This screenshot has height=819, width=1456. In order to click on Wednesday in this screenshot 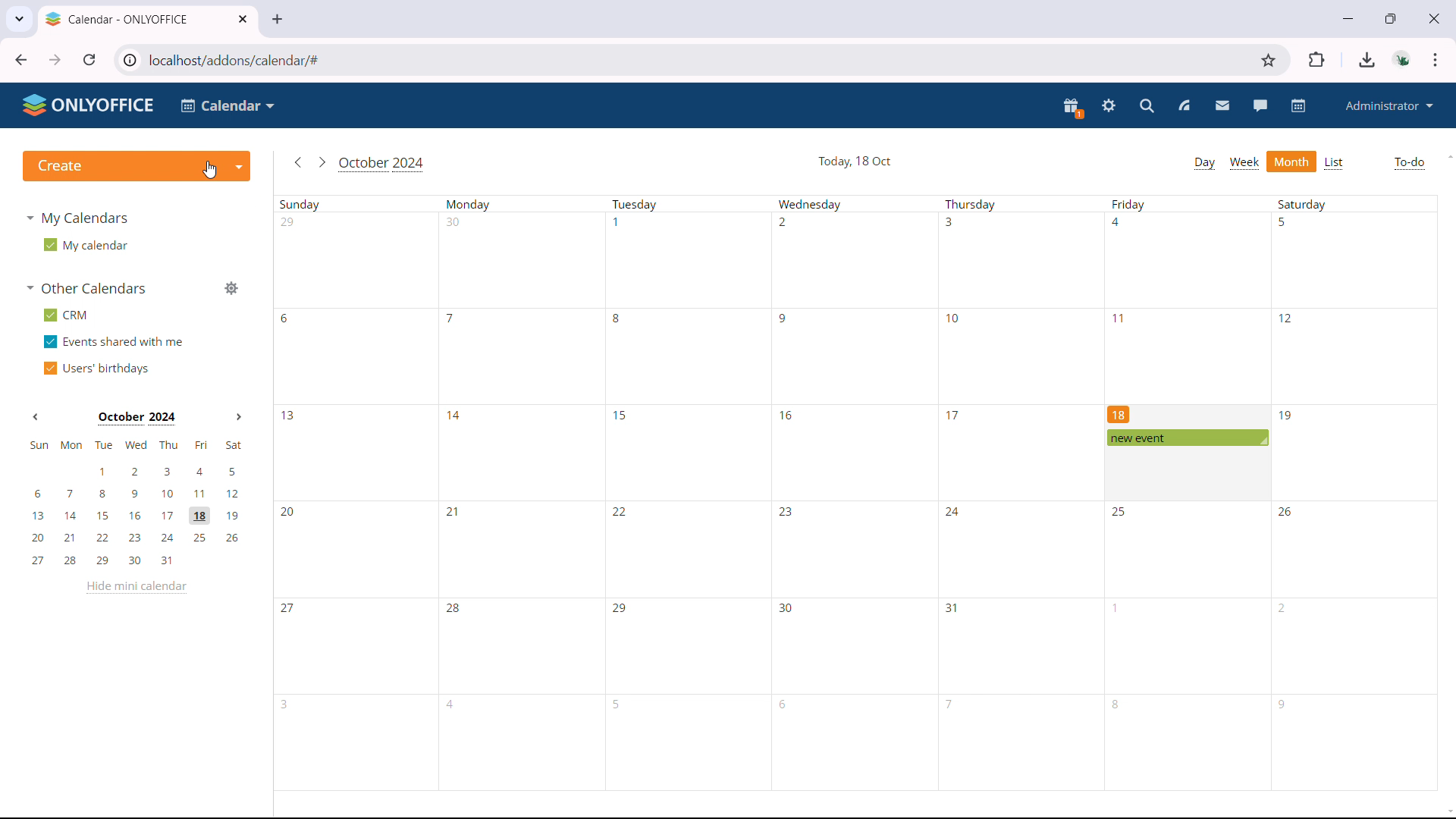, I will do `click(810, 205)`.